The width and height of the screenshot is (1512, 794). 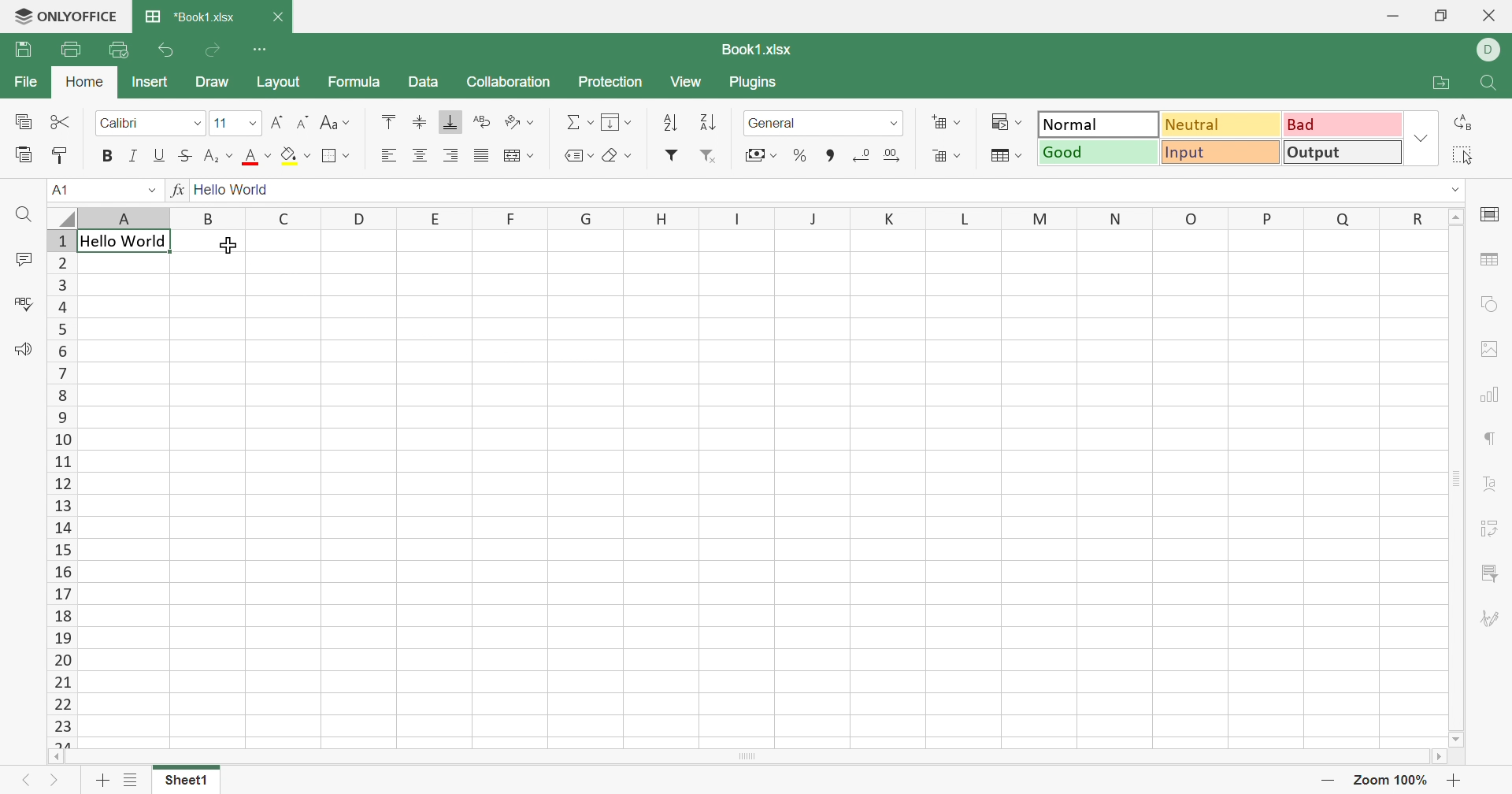 I want to click on Font color, so click(x=258, y=155).